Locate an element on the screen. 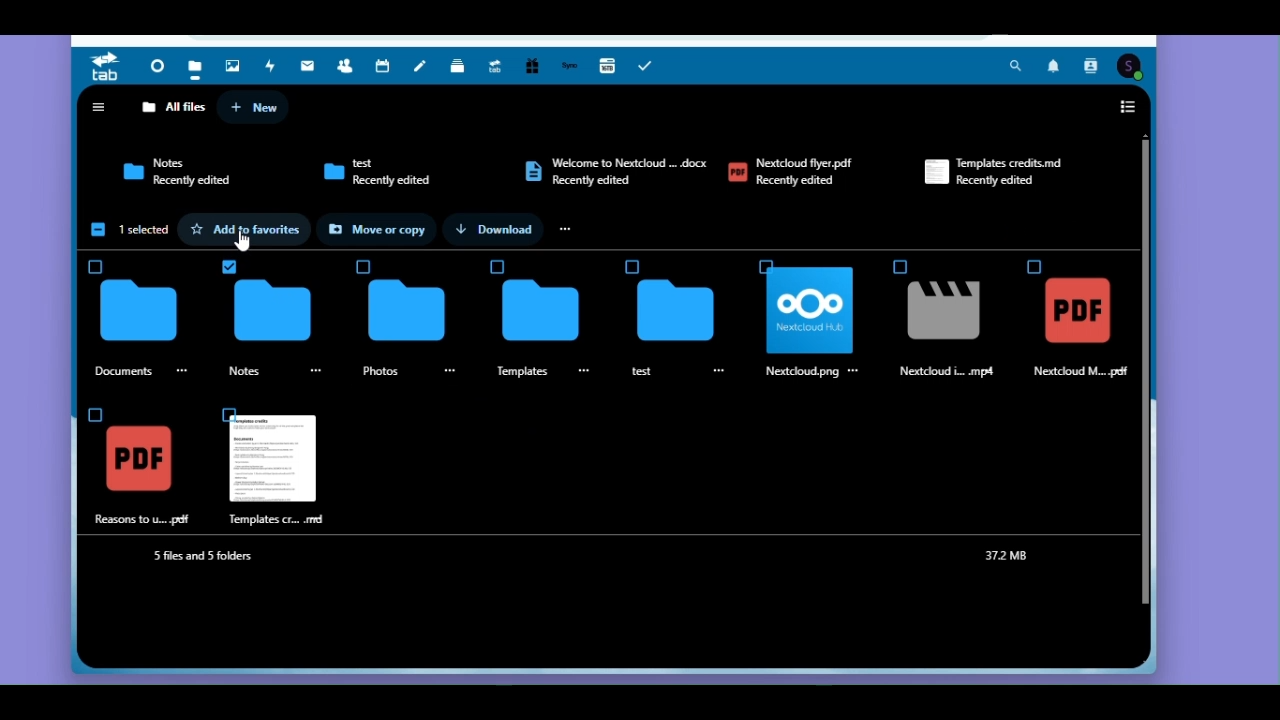 Image resolution: width=1280 pixels, height=720 pixels. Recently edited is located at coordinates (596, 181).